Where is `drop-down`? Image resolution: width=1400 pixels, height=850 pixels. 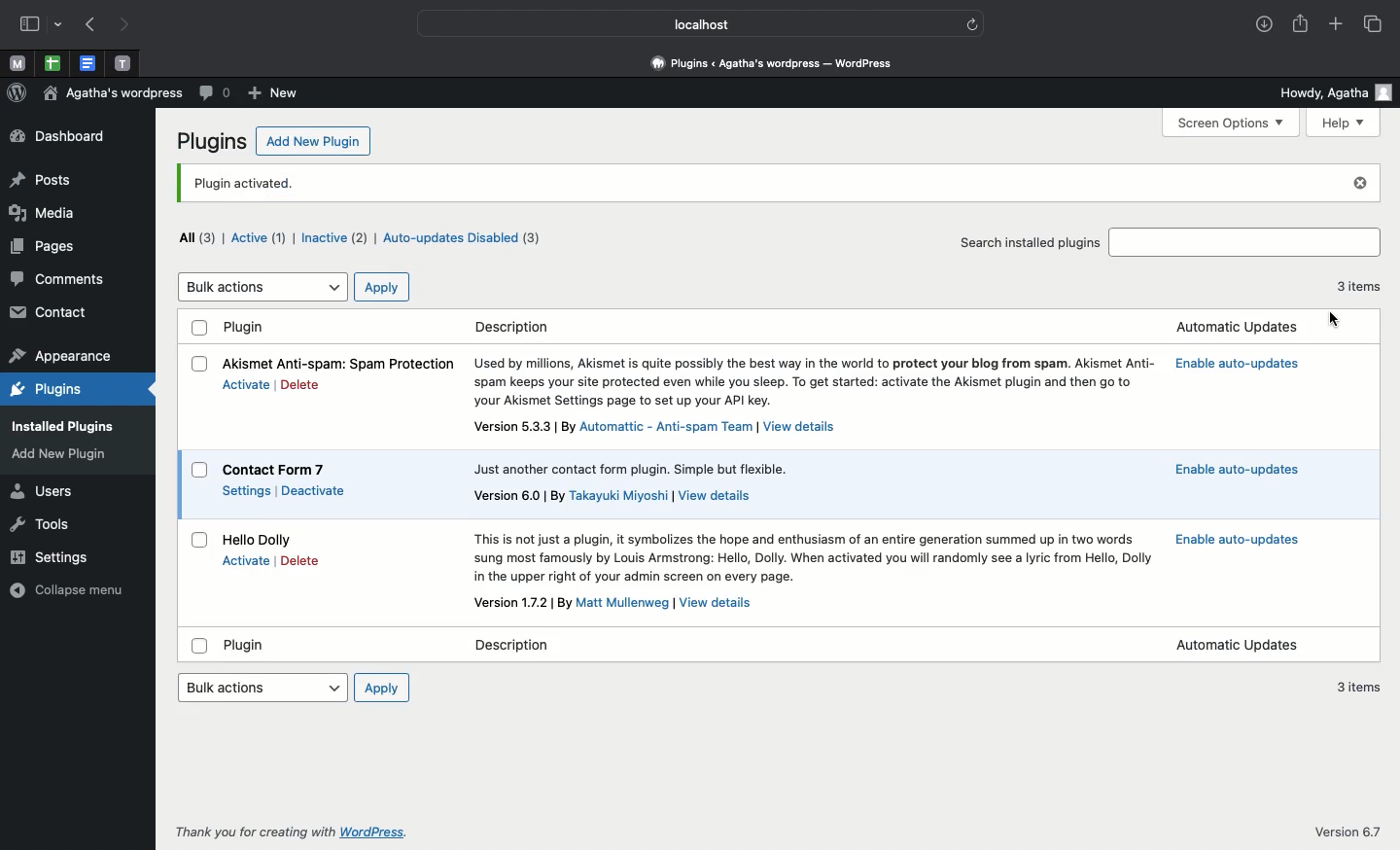 drop-down is located at coordinates (60, 24).